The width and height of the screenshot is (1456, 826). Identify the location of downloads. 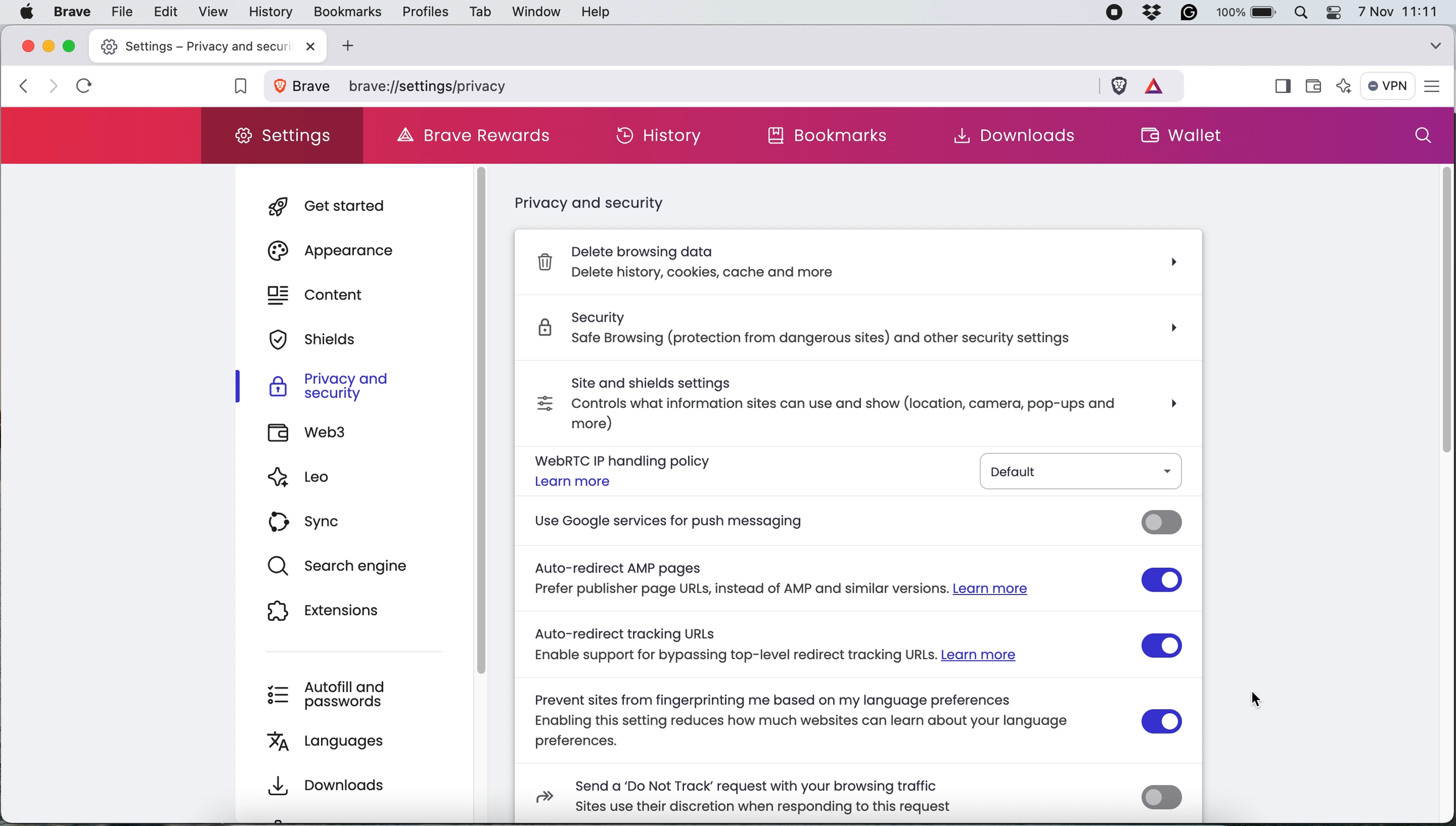
(1006, 136).